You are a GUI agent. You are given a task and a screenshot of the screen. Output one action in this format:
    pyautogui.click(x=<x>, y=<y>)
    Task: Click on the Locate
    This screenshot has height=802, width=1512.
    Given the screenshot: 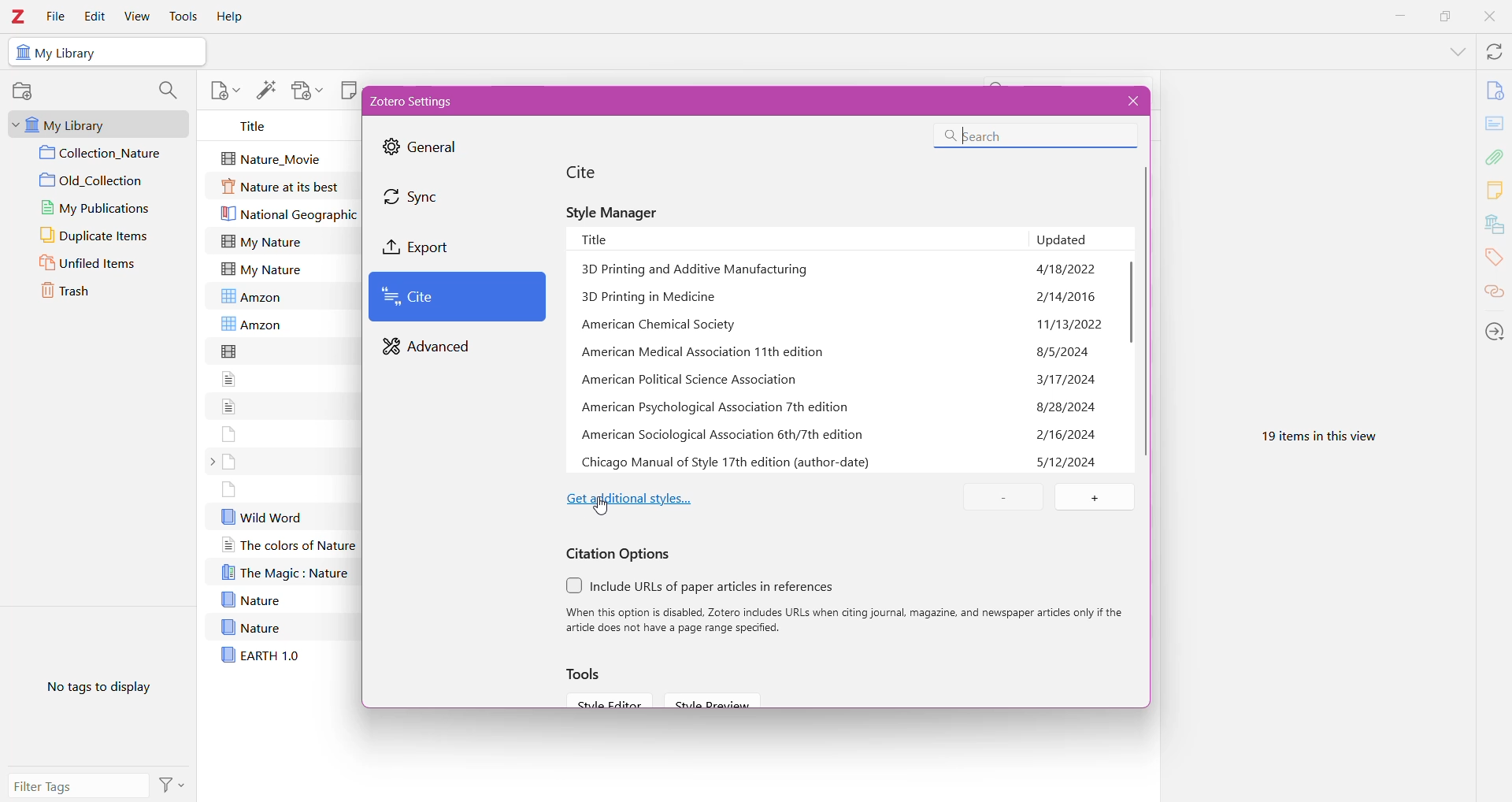 What is the action you would take?
    pyautogui.click(x=1494, y=330)
    